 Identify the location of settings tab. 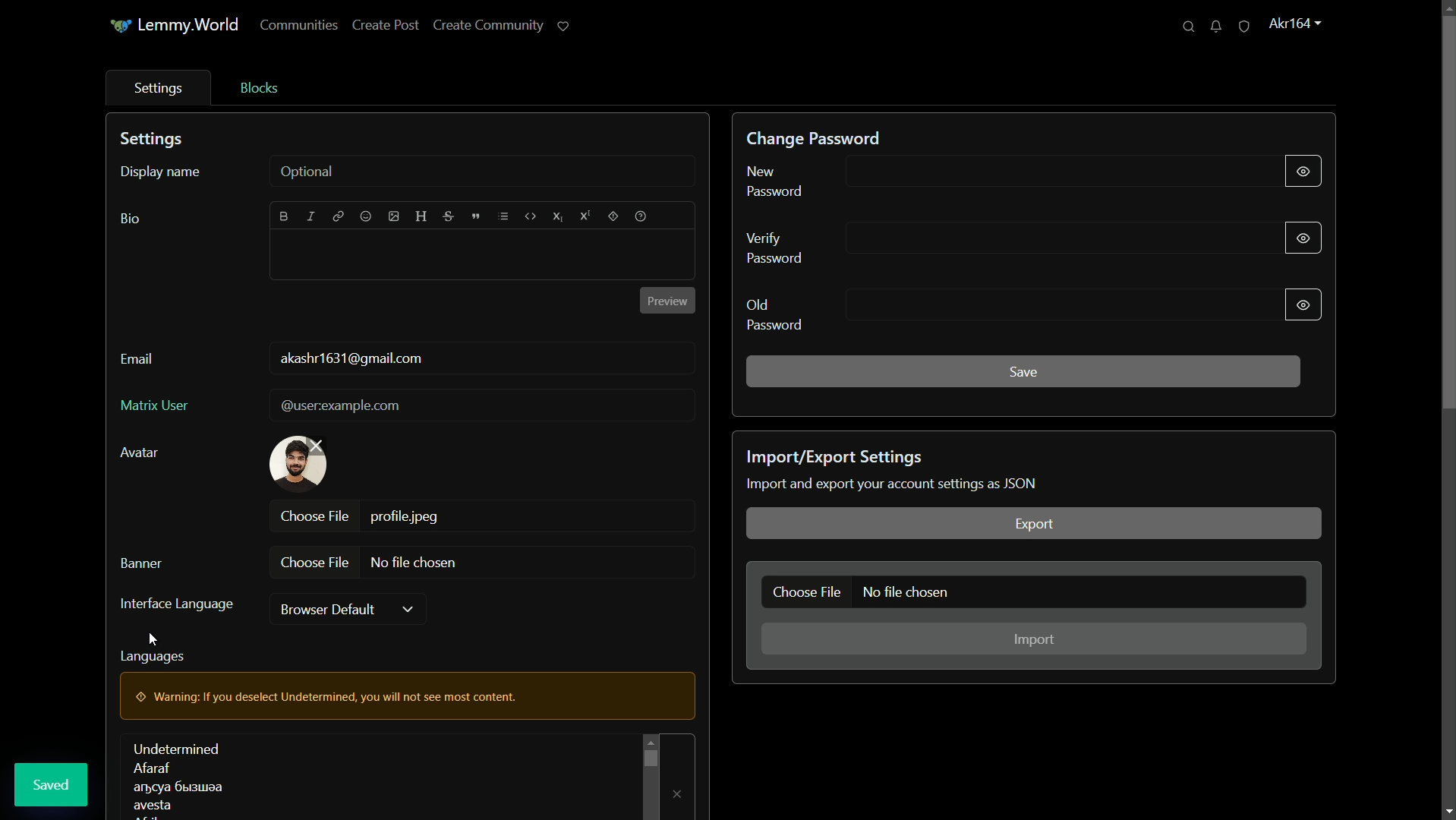
(155, 88).